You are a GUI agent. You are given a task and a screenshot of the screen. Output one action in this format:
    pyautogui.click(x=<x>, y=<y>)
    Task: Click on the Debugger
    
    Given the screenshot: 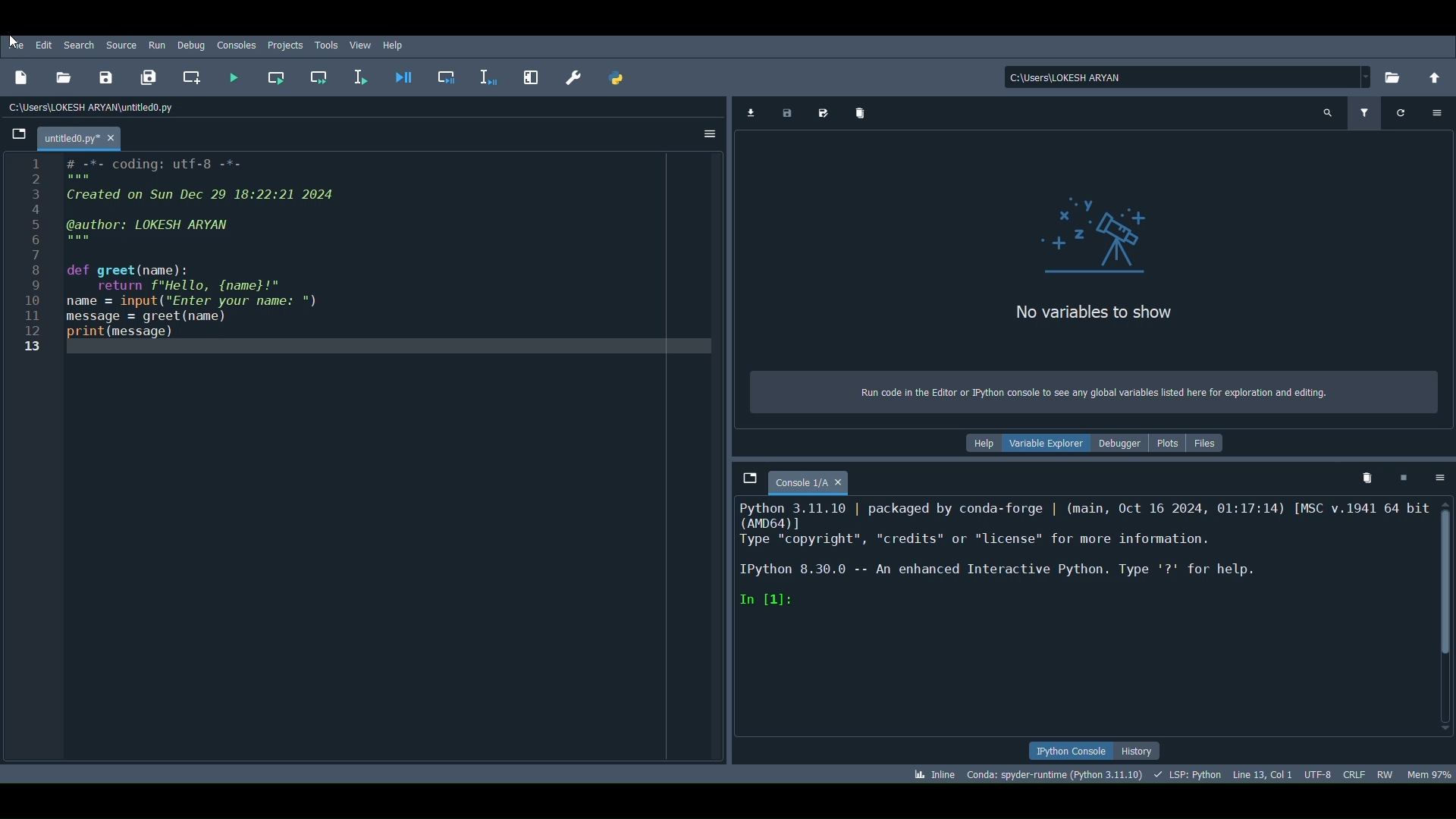 What is the action you would take?
    pyautogui.click(x=1122, y=444)
    